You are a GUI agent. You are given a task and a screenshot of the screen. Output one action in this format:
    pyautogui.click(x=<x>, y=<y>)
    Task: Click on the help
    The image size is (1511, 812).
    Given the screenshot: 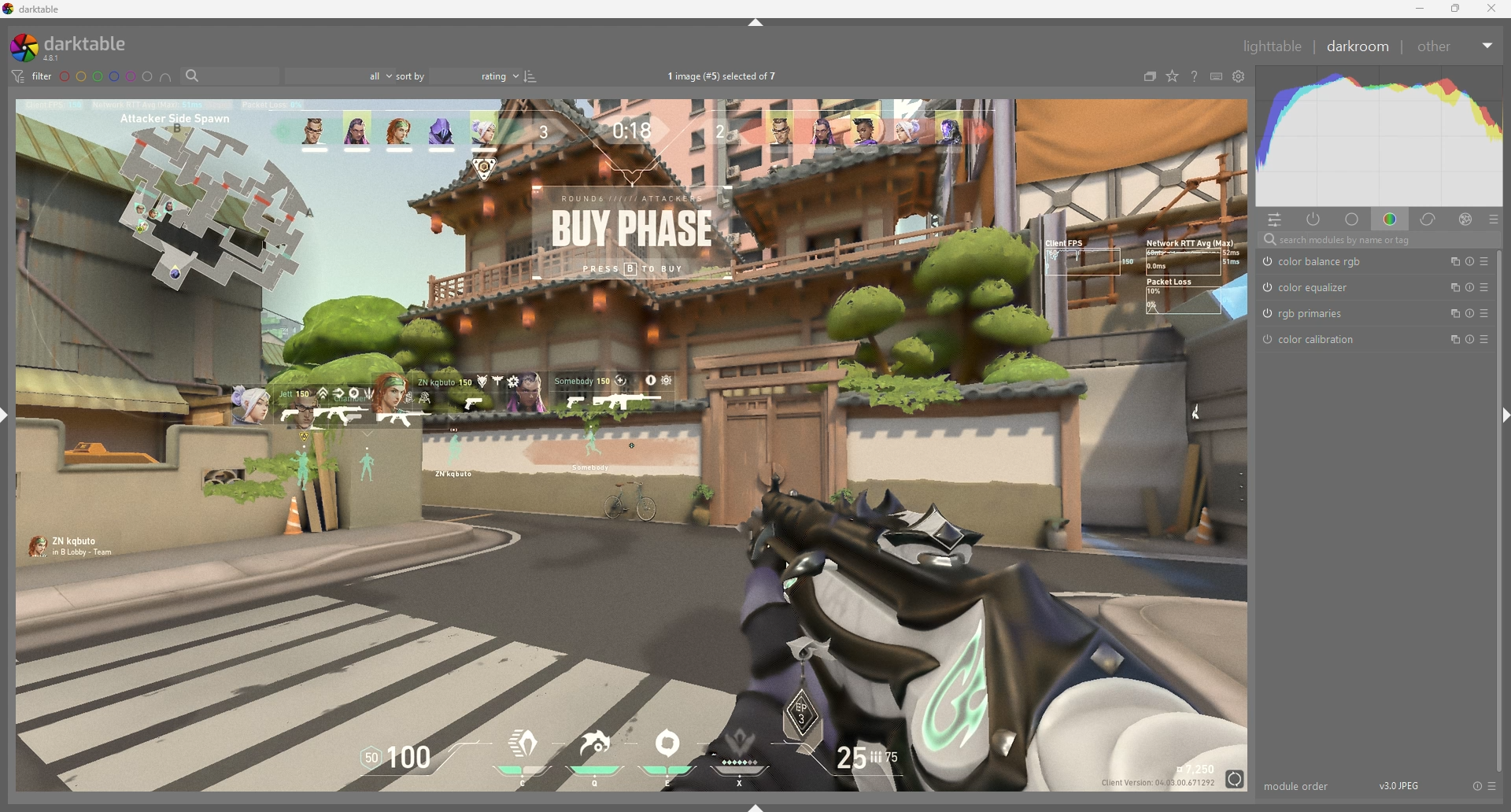 What is the action you would take?
    pyautogui.click(x=1194, y=76)
    